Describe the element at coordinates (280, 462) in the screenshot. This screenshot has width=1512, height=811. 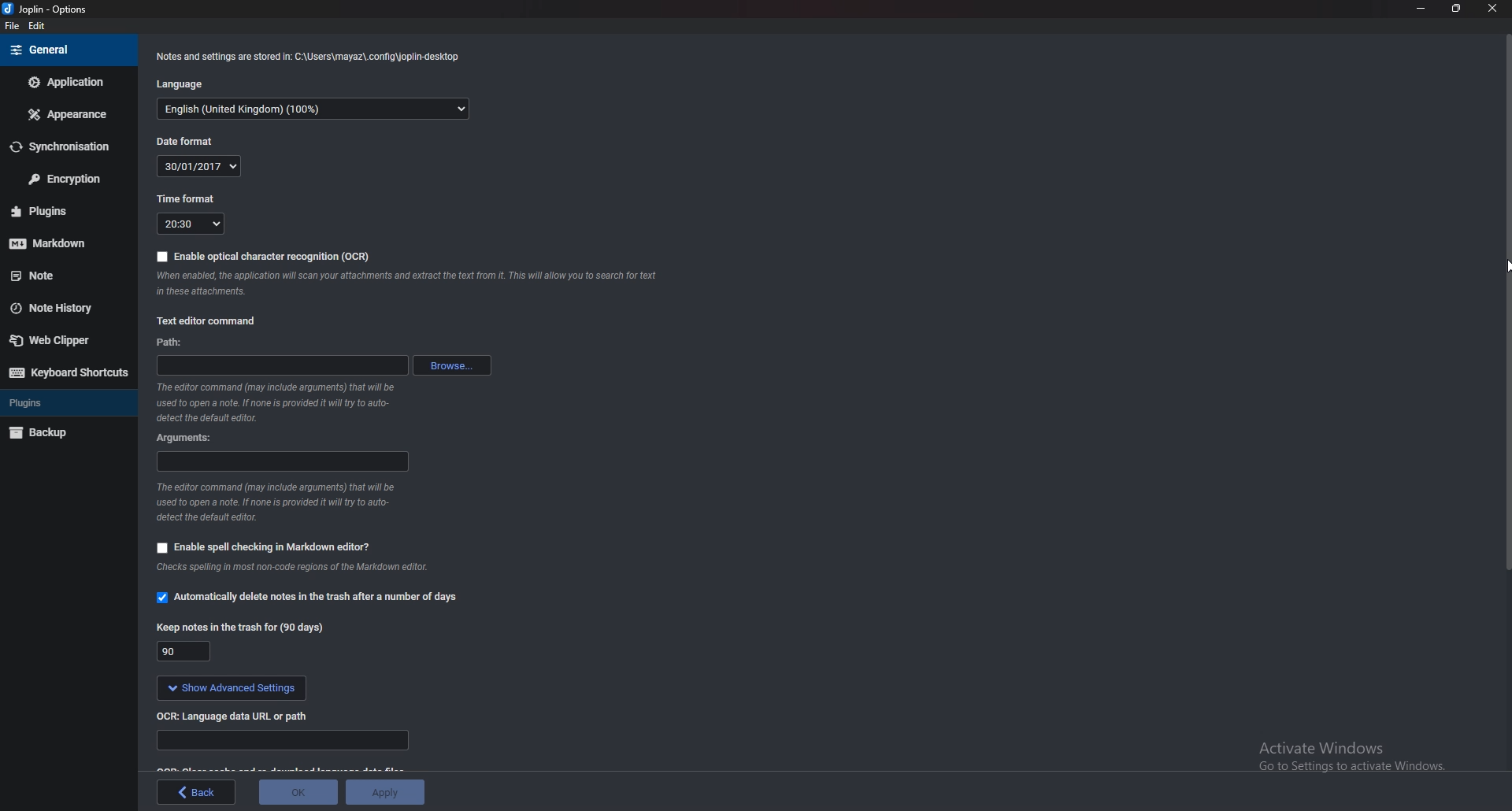
I see `arguments` at that location.